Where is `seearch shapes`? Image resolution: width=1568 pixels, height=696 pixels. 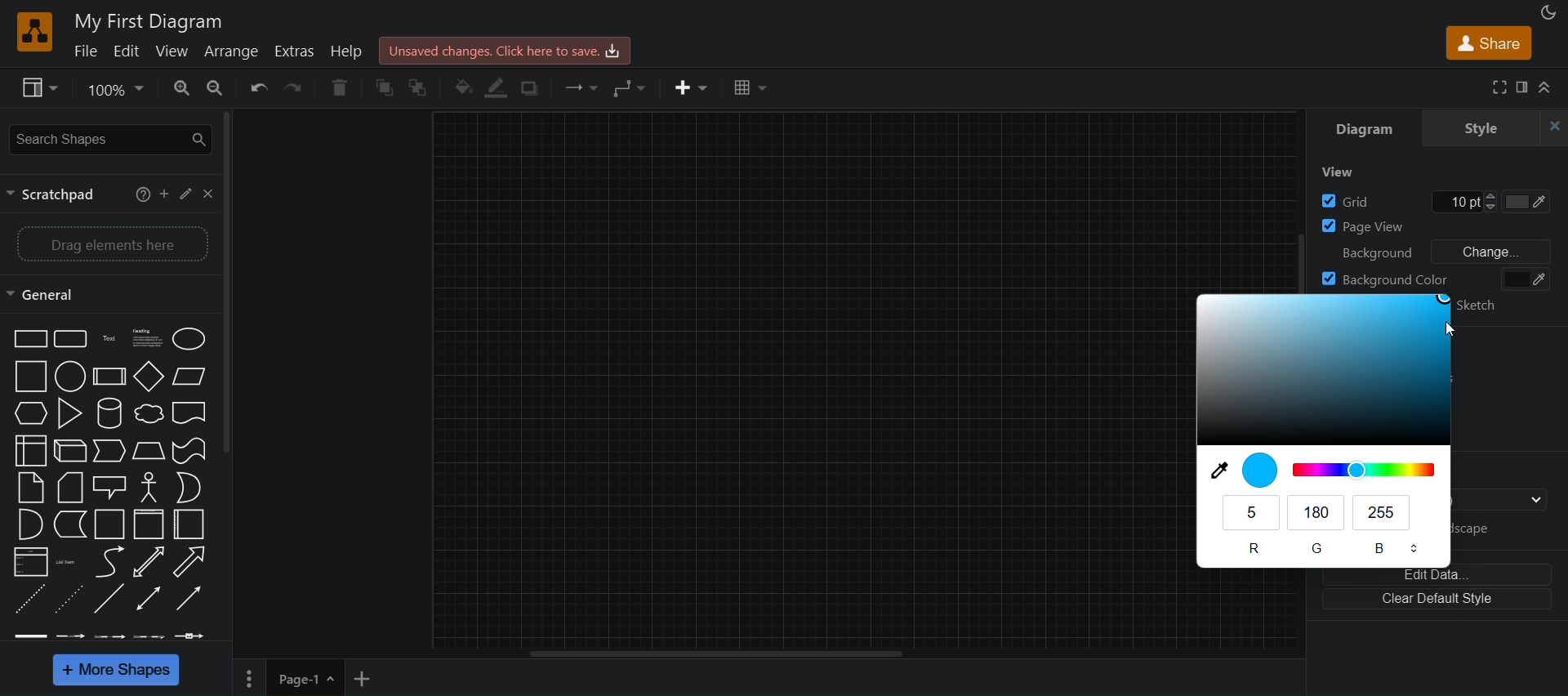
seearch shapes is located at coordinates (107, 138).